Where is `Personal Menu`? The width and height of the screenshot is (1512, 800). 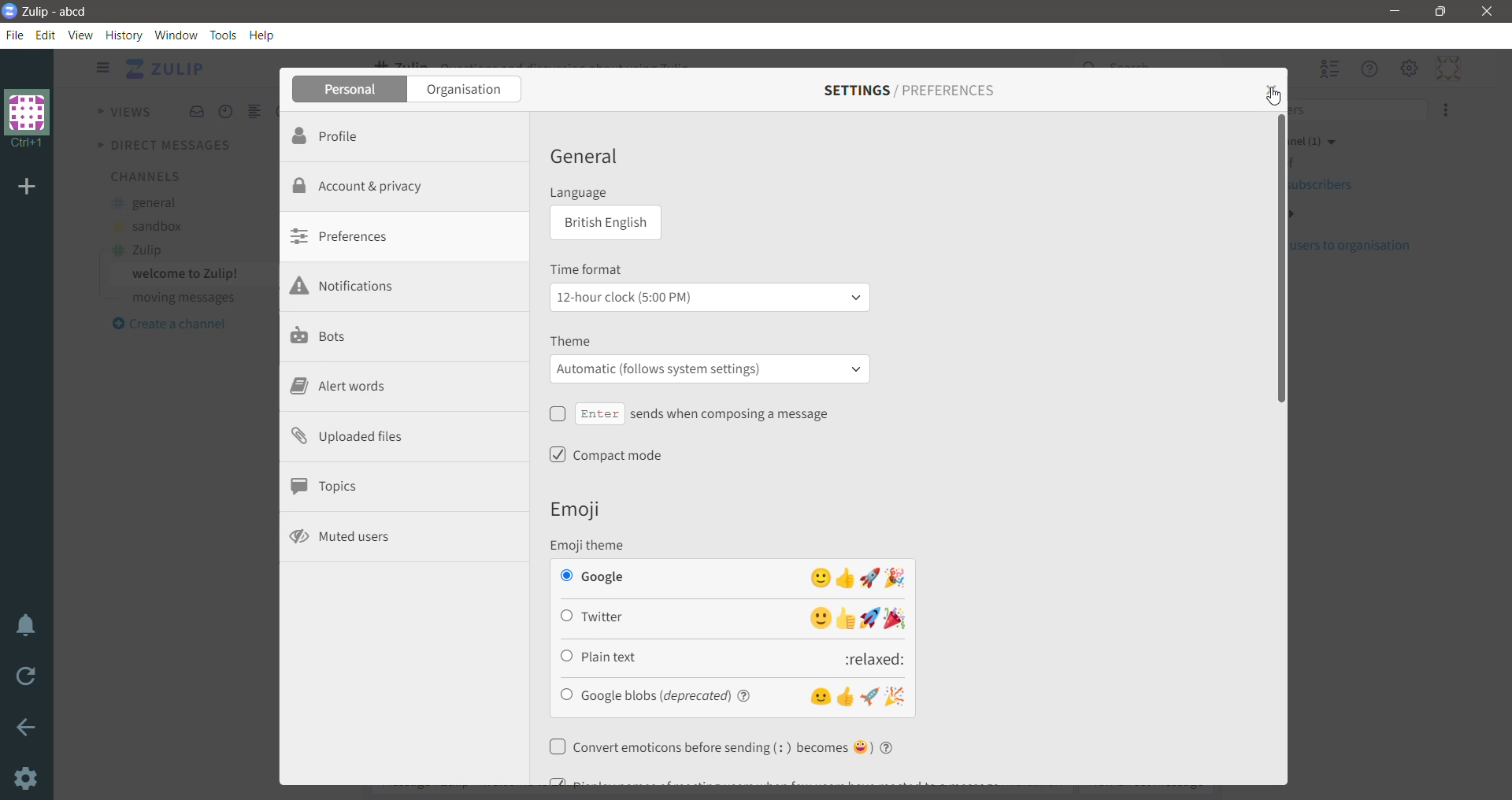
Personal Menu is located at coordinates (1450, 68).